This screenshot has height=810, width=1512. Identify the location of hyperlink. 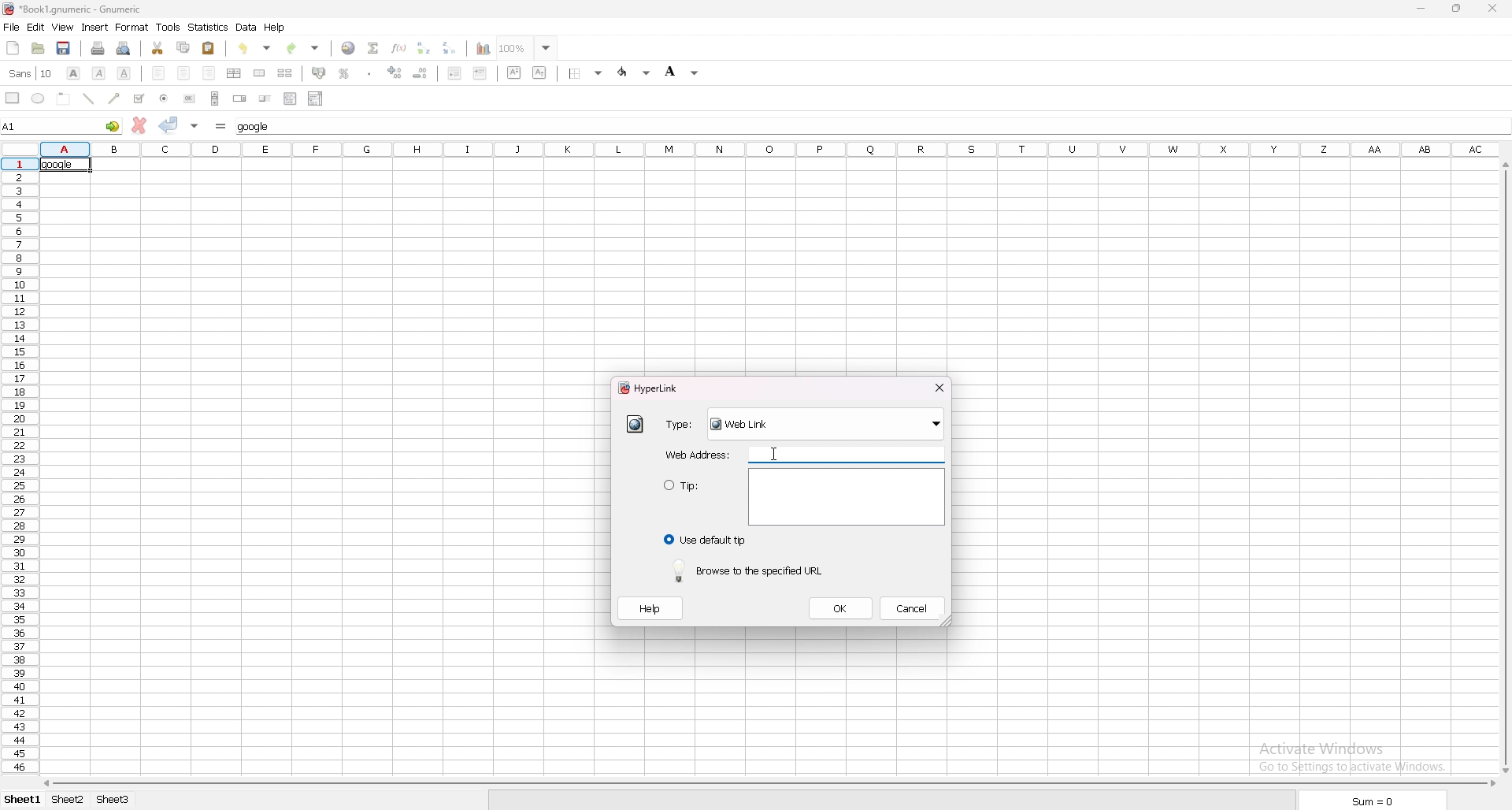
(636, 425).